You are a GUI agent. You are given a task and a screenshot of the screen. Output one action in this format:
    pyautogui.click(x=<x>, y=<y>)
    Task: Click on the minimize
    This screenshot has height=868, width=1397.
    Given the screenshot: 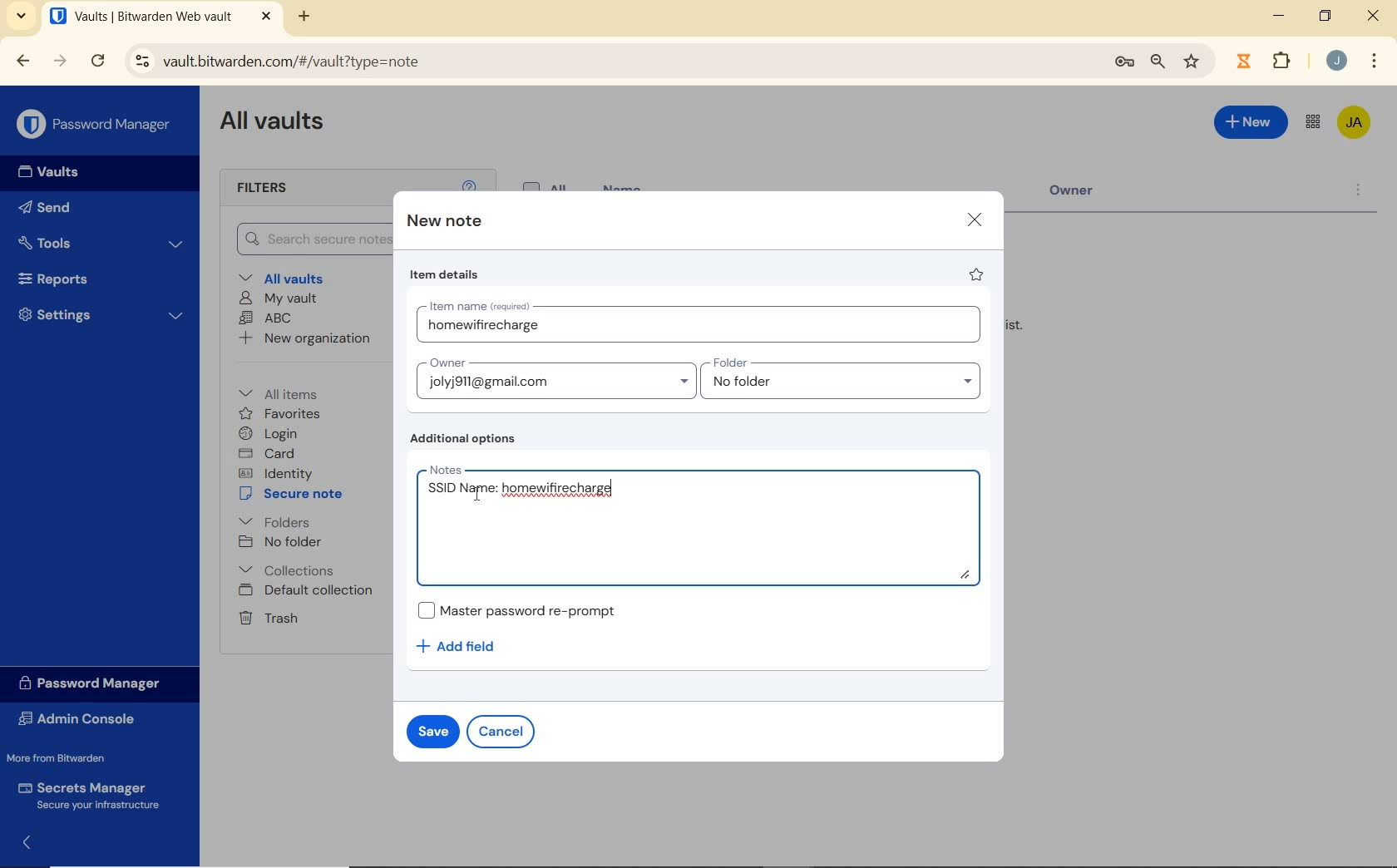 What is the action you would take?
    pyautogui.click(x=1279, y=15)
    